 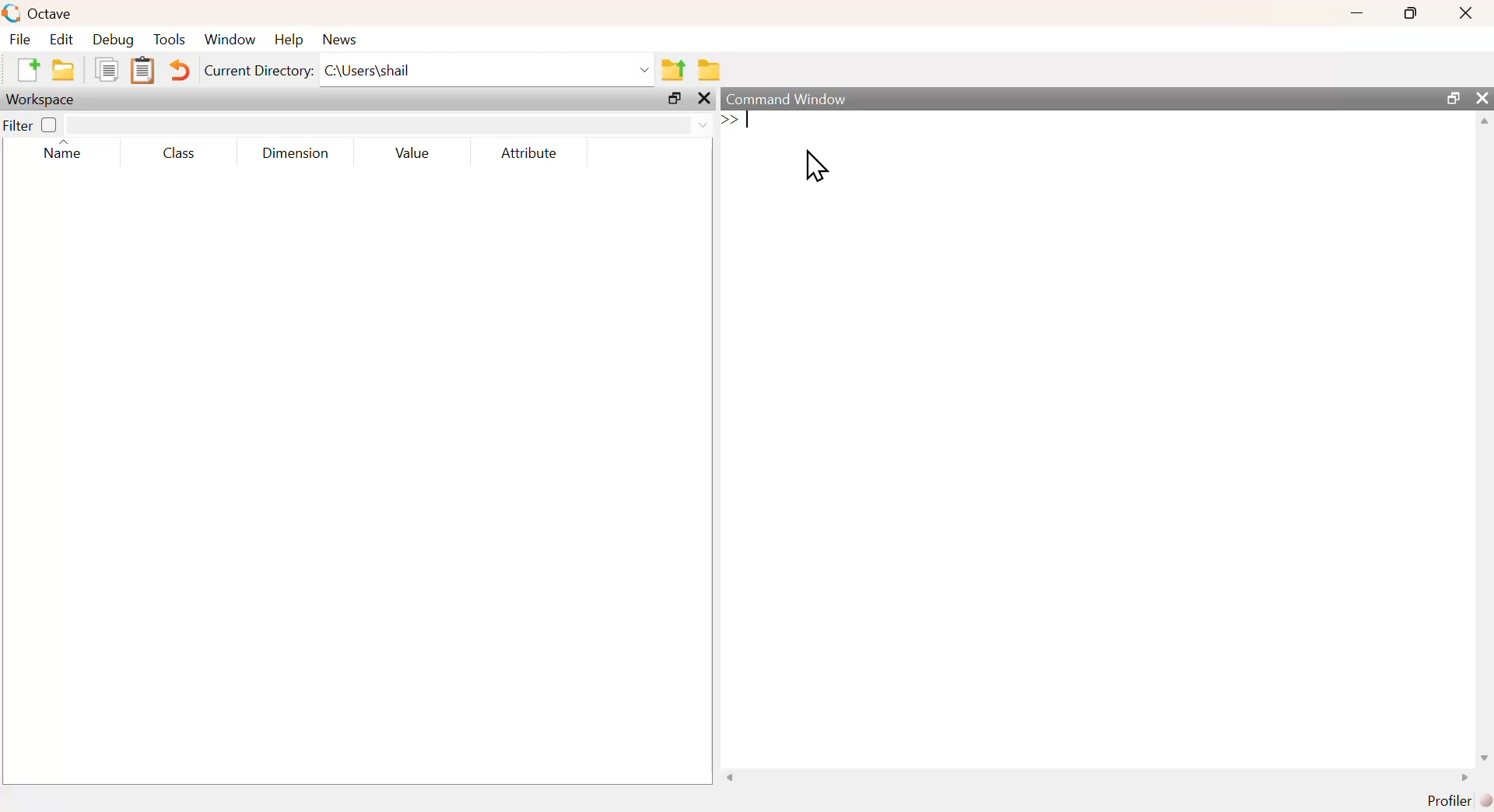 What do you see at coordinates (1468, 12) in the screenshot?
I see `close` at bounding box center [1468, 12].